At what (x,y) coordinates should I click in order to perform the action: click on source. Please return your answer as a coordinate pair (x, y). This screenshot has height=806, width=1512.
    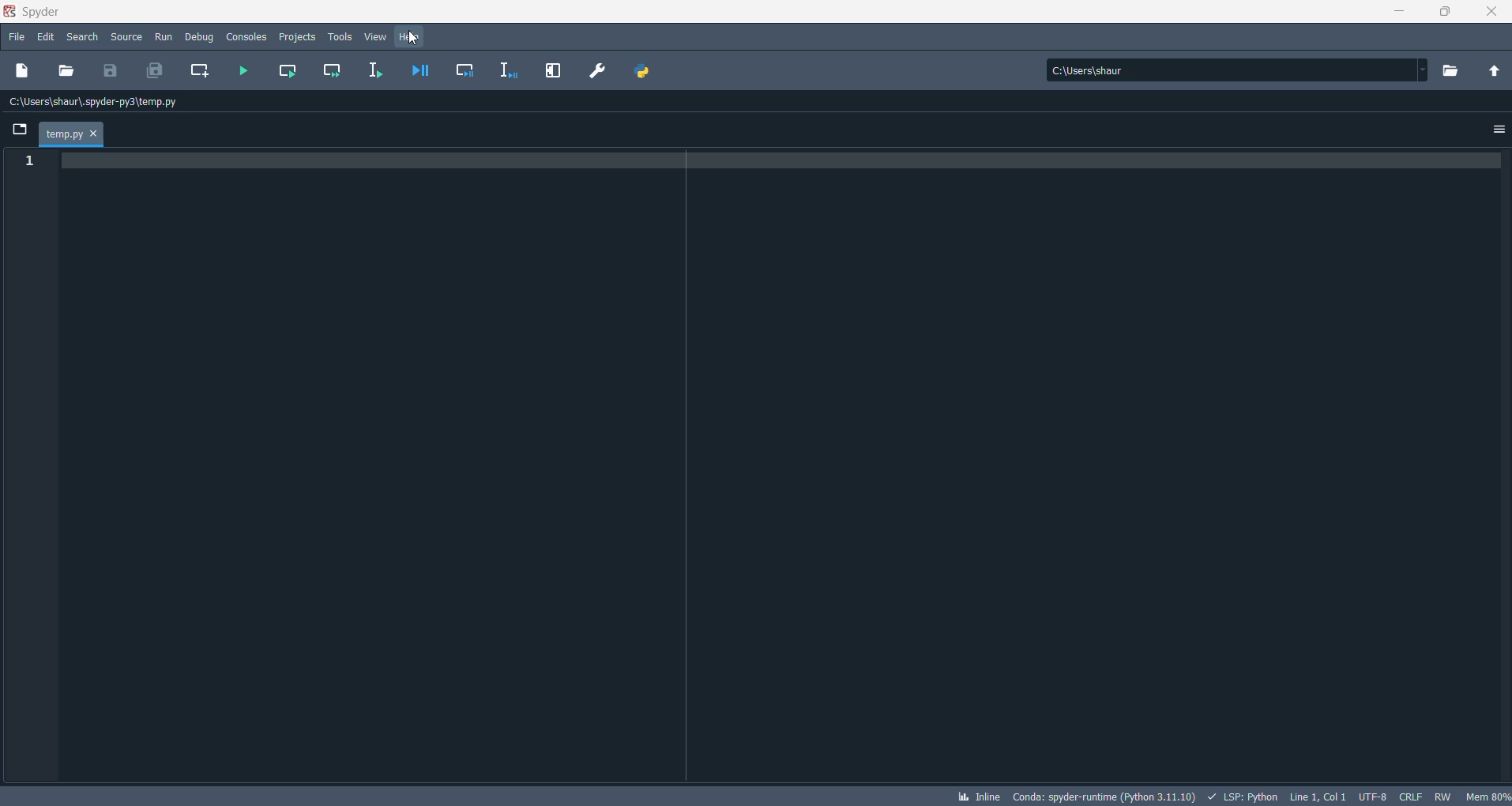
    Looking at the image, I should click on (126, 37).